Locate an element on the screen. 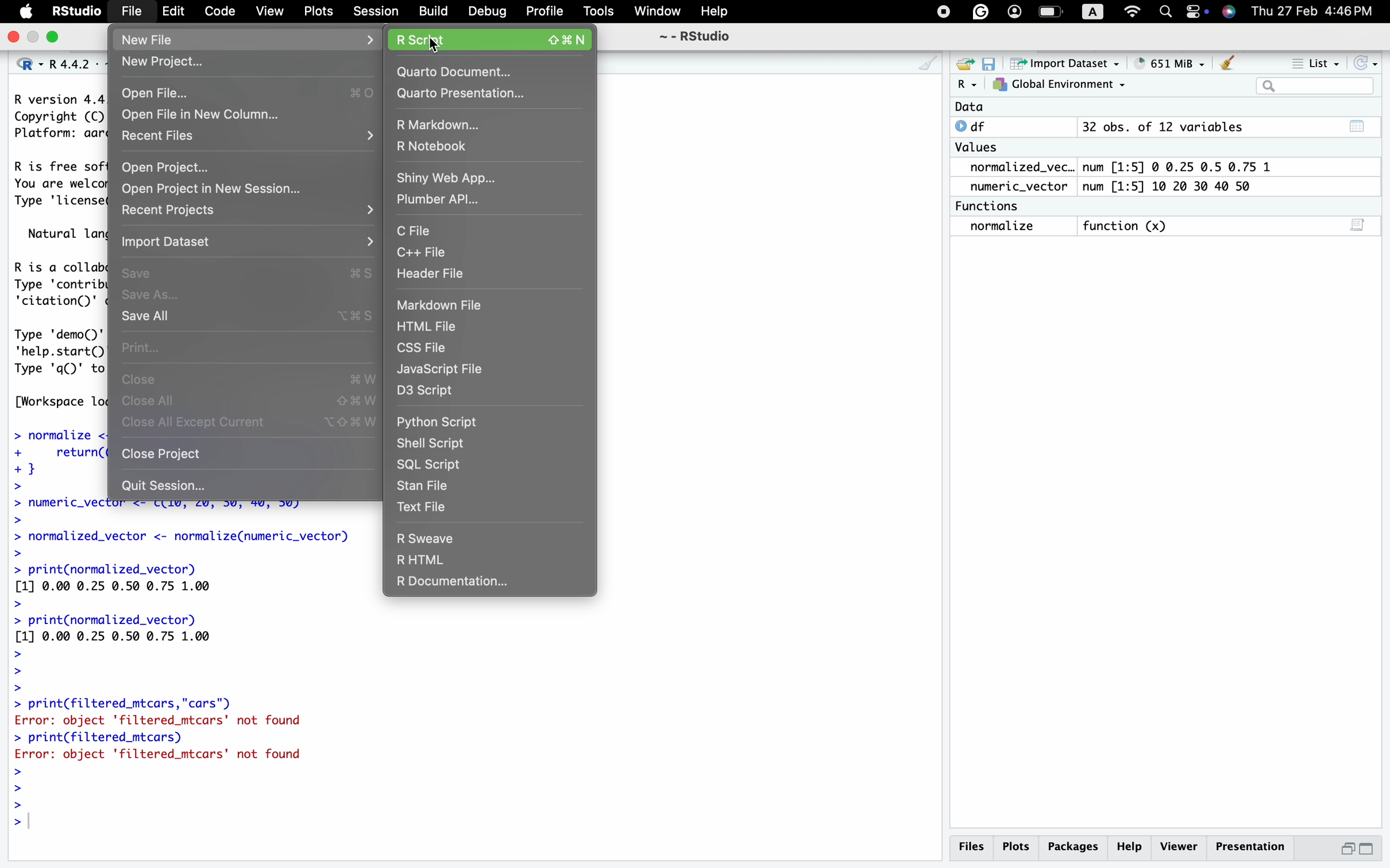 Image resolution: width=1390 pixels, height=868 pixels. Window is located at coordinates (655, 13).